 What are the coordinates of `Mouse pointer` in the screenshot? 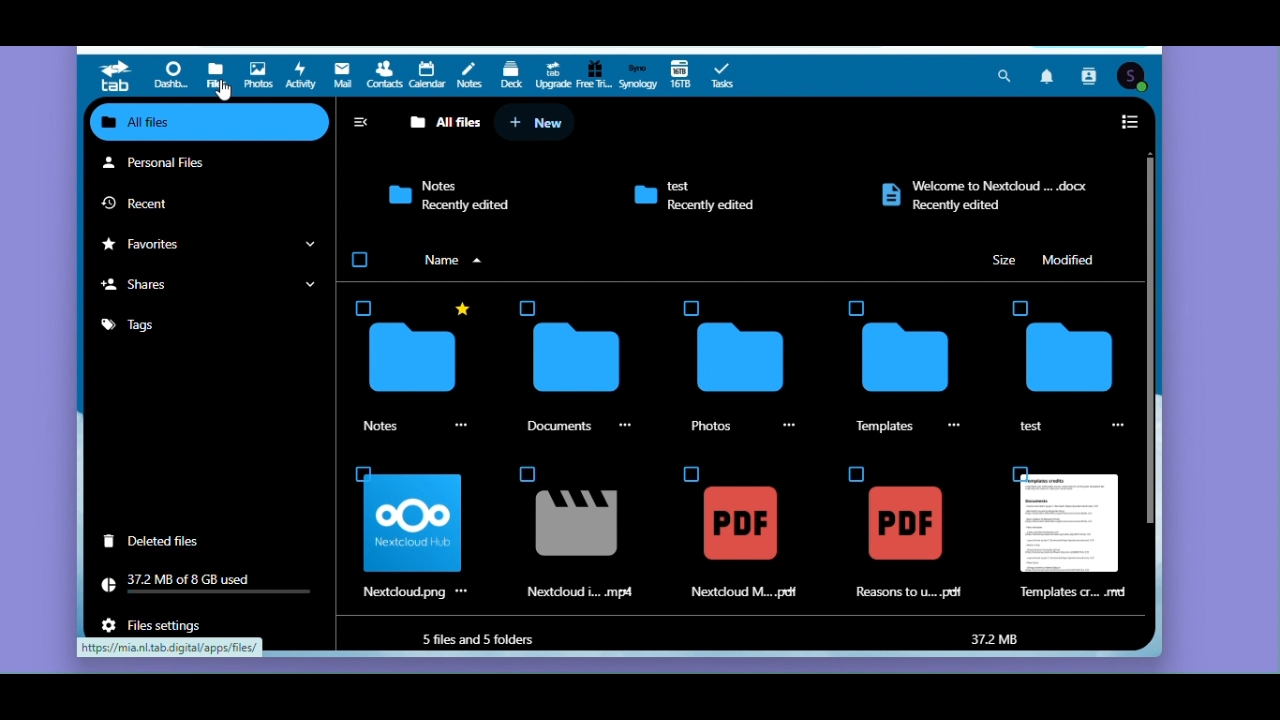 It's located at (222, 92).